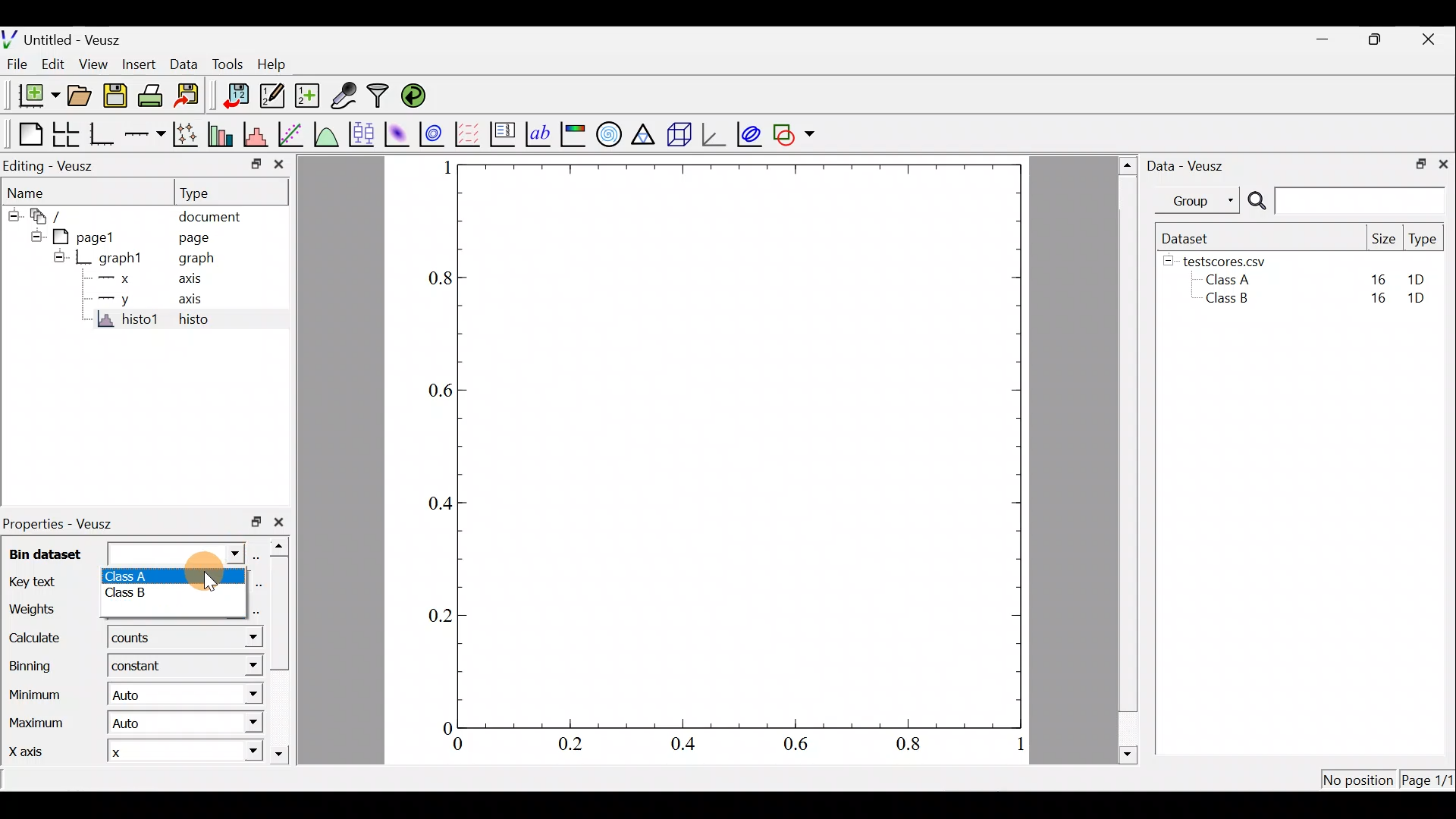 Image resolution: width=1456 pixels, height=819 pixels. Describe the element at coordinates (609, 135) in the screenshot. I see `Polar graph` at that location.